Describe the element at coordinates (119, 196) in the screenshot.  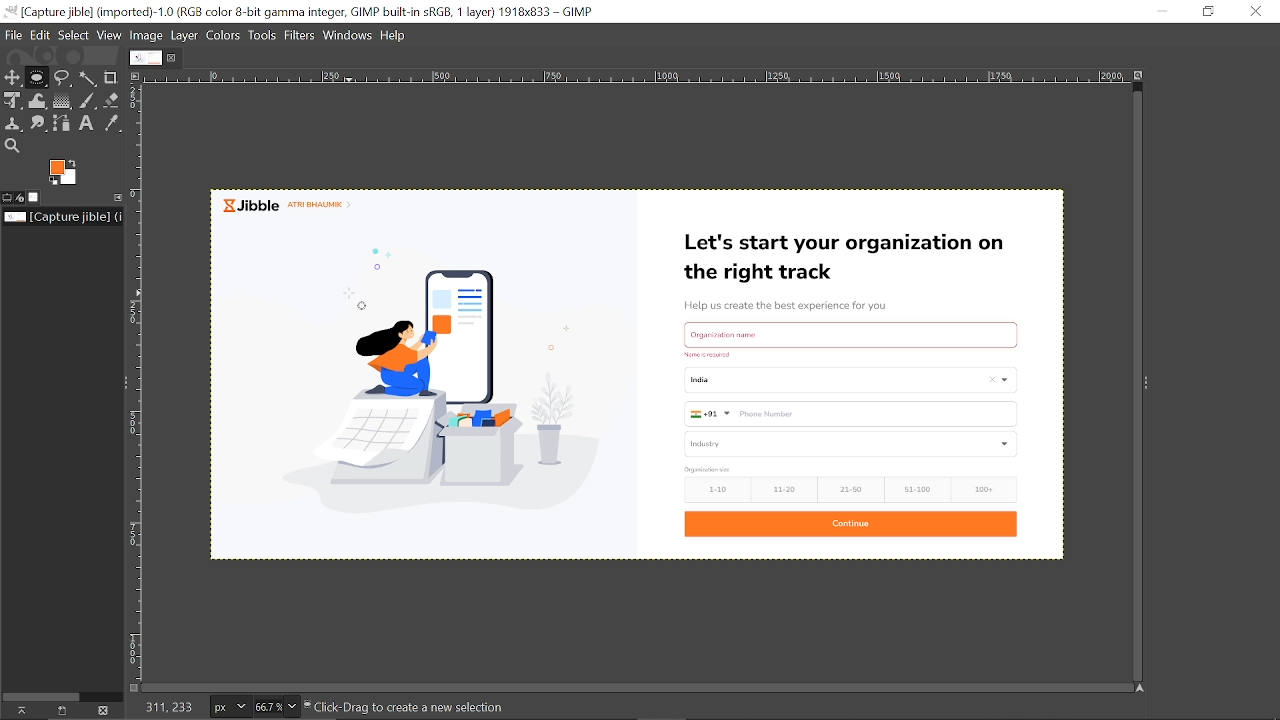
I see `Configure this tab` at that location.